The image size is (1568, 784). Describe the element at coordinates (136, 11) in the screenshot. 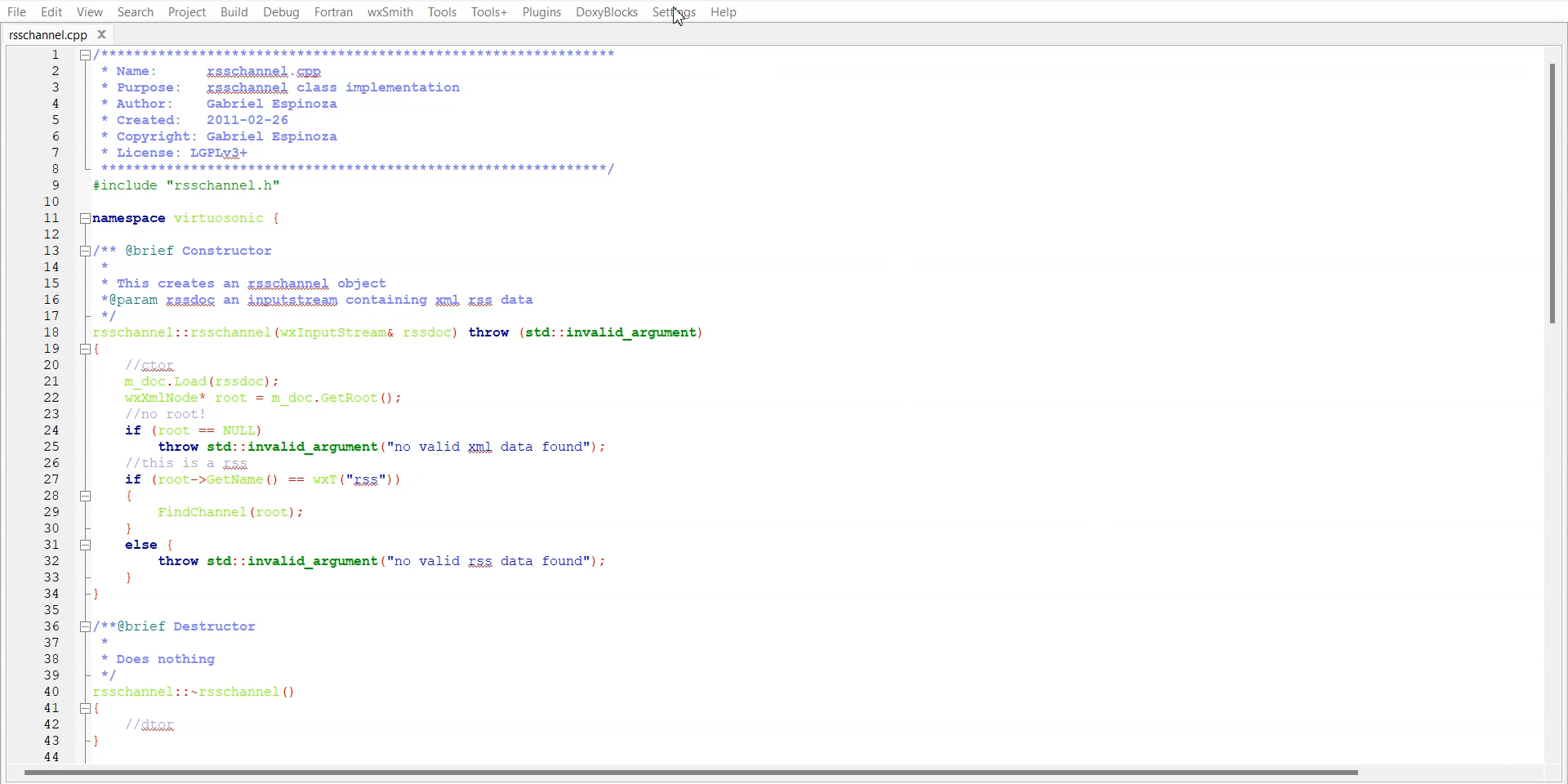

I see `Search` at that location.